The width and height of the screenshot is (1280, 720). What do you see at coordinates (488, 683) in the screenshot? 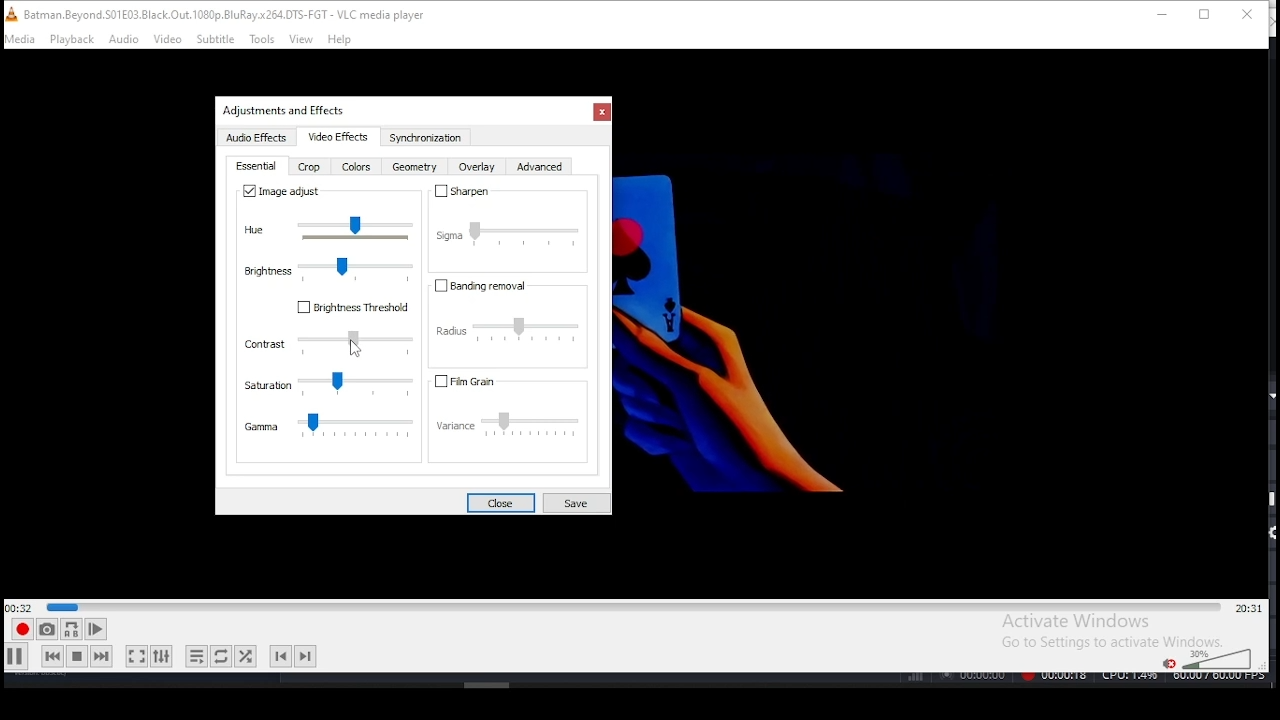
I see `` at bounding box center [488, 683].